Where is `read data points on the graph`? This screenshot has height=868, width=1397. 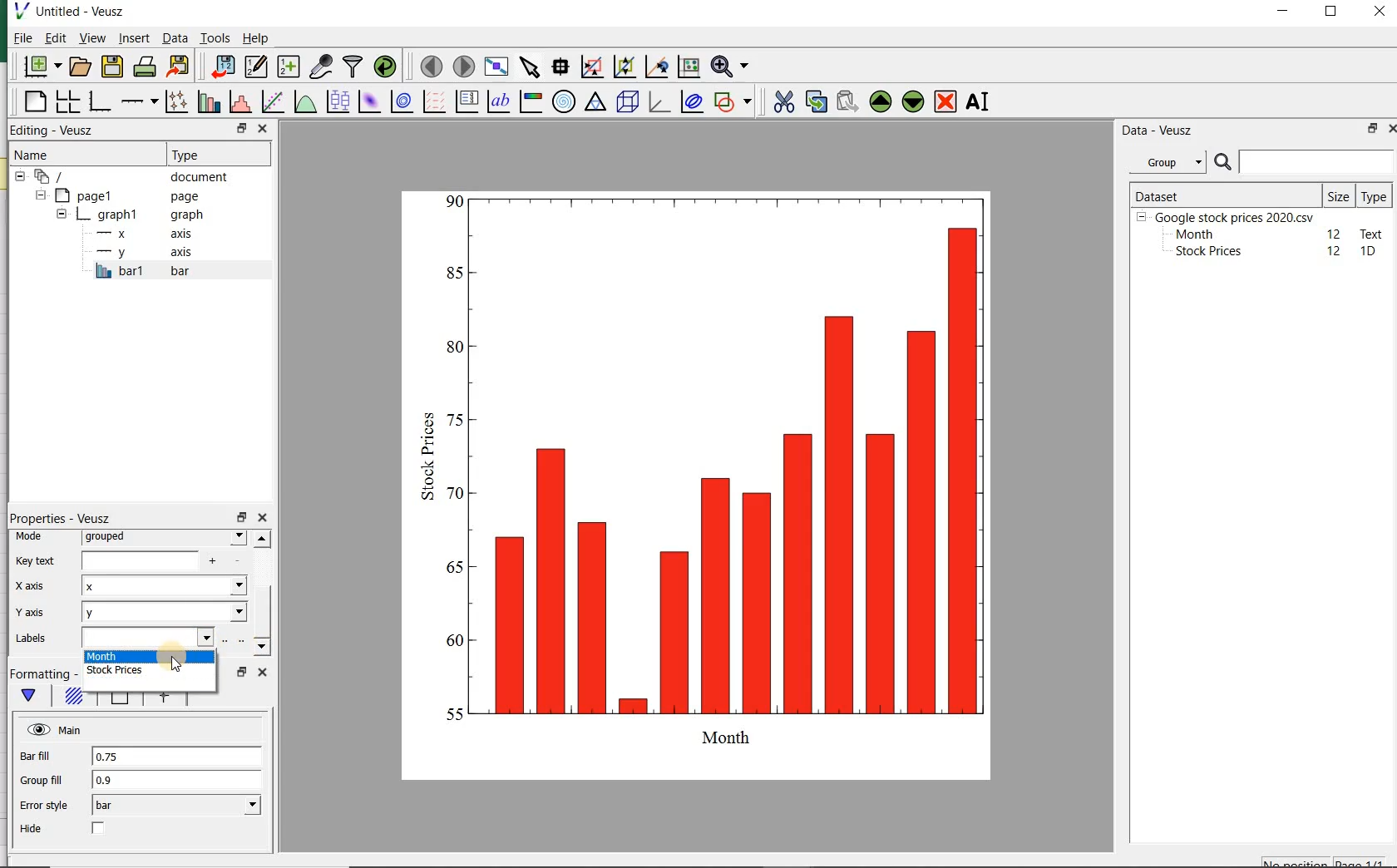
read data points on the graph is located at coordinates (559, 67).